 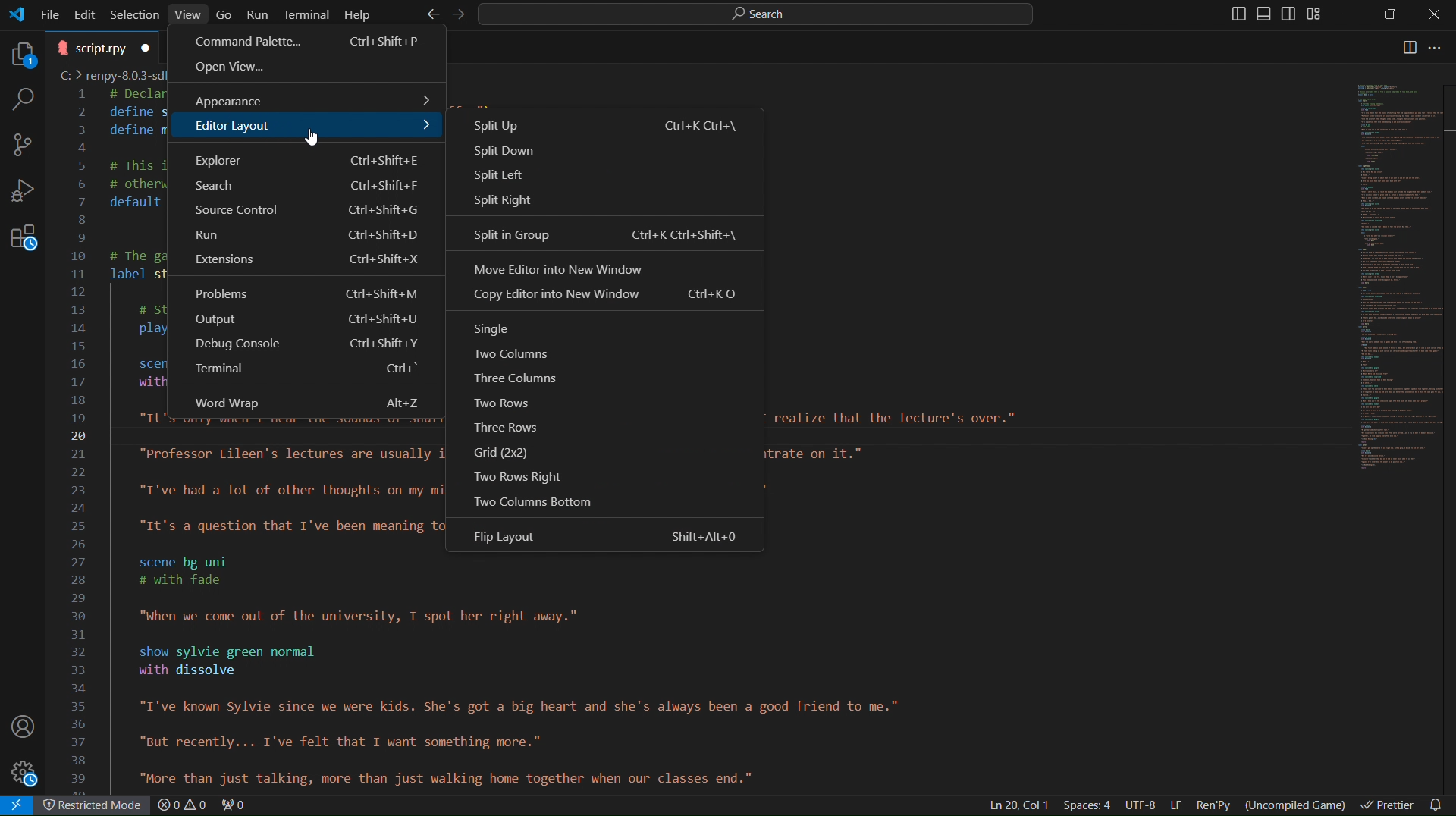 I want to click on UTF-8, so click(x=1141, y=805).